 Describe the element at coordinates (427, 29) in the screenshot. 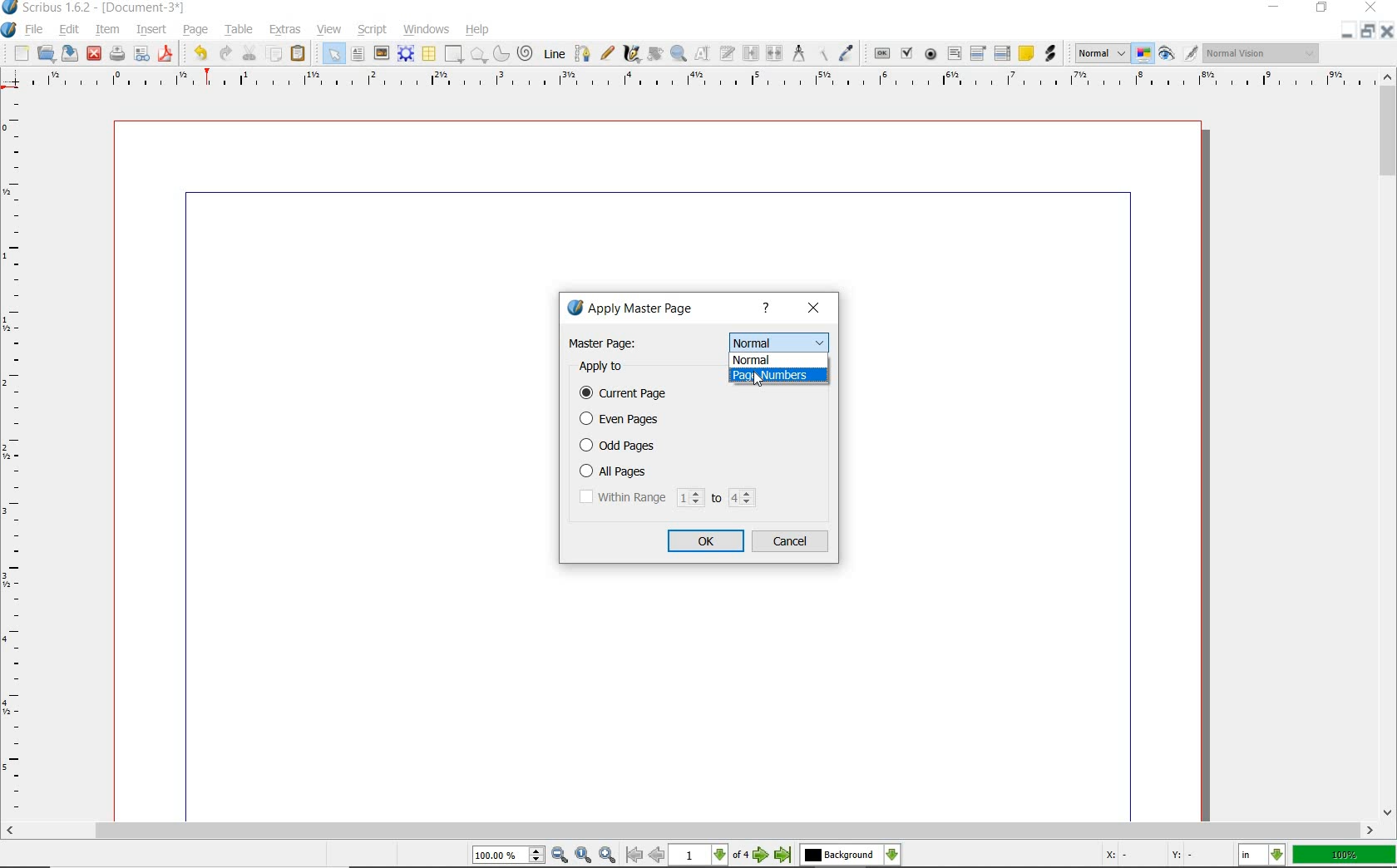

I see `windows` at that location.